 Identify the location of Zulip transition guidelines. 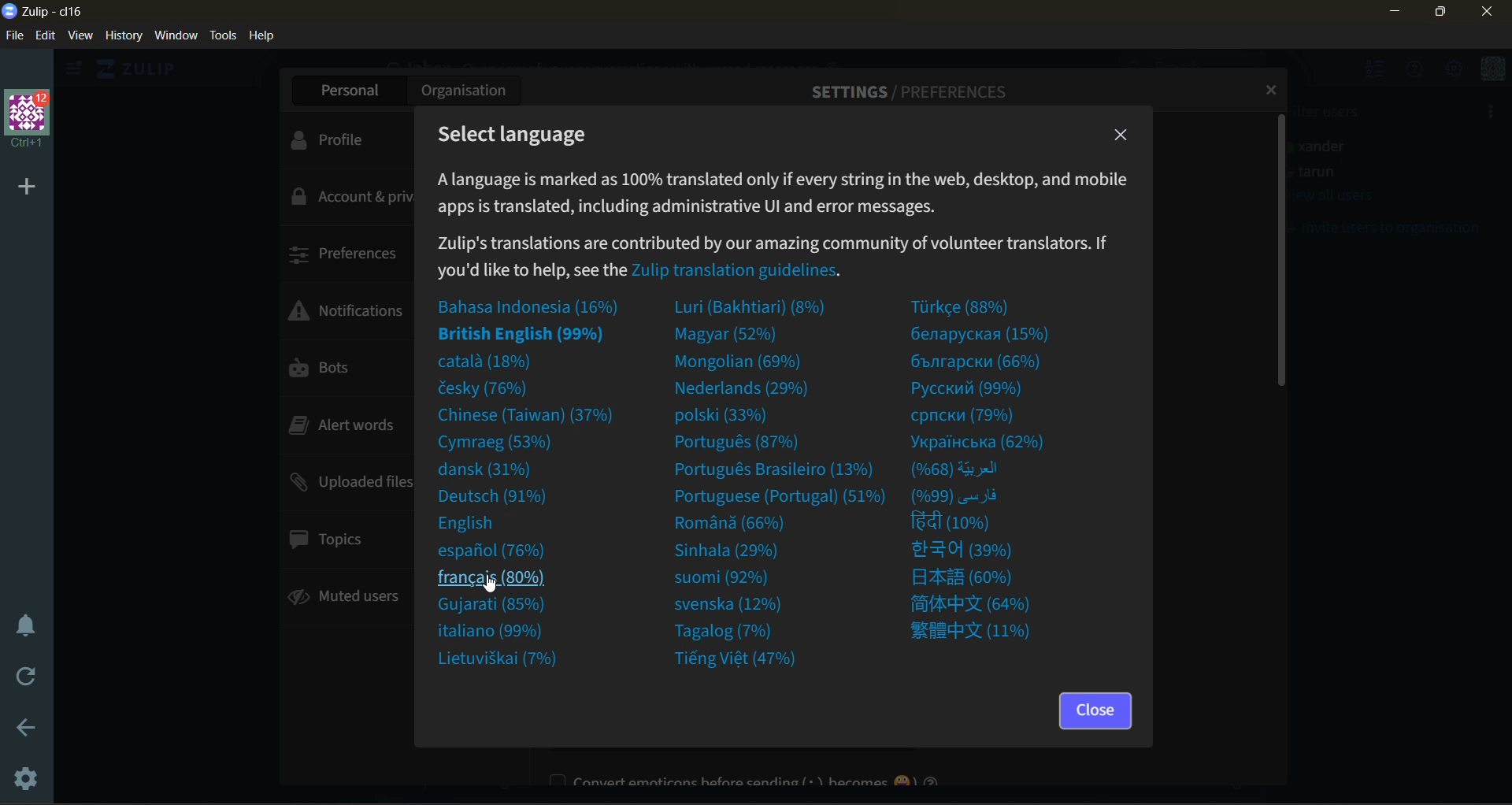
(783, 257).